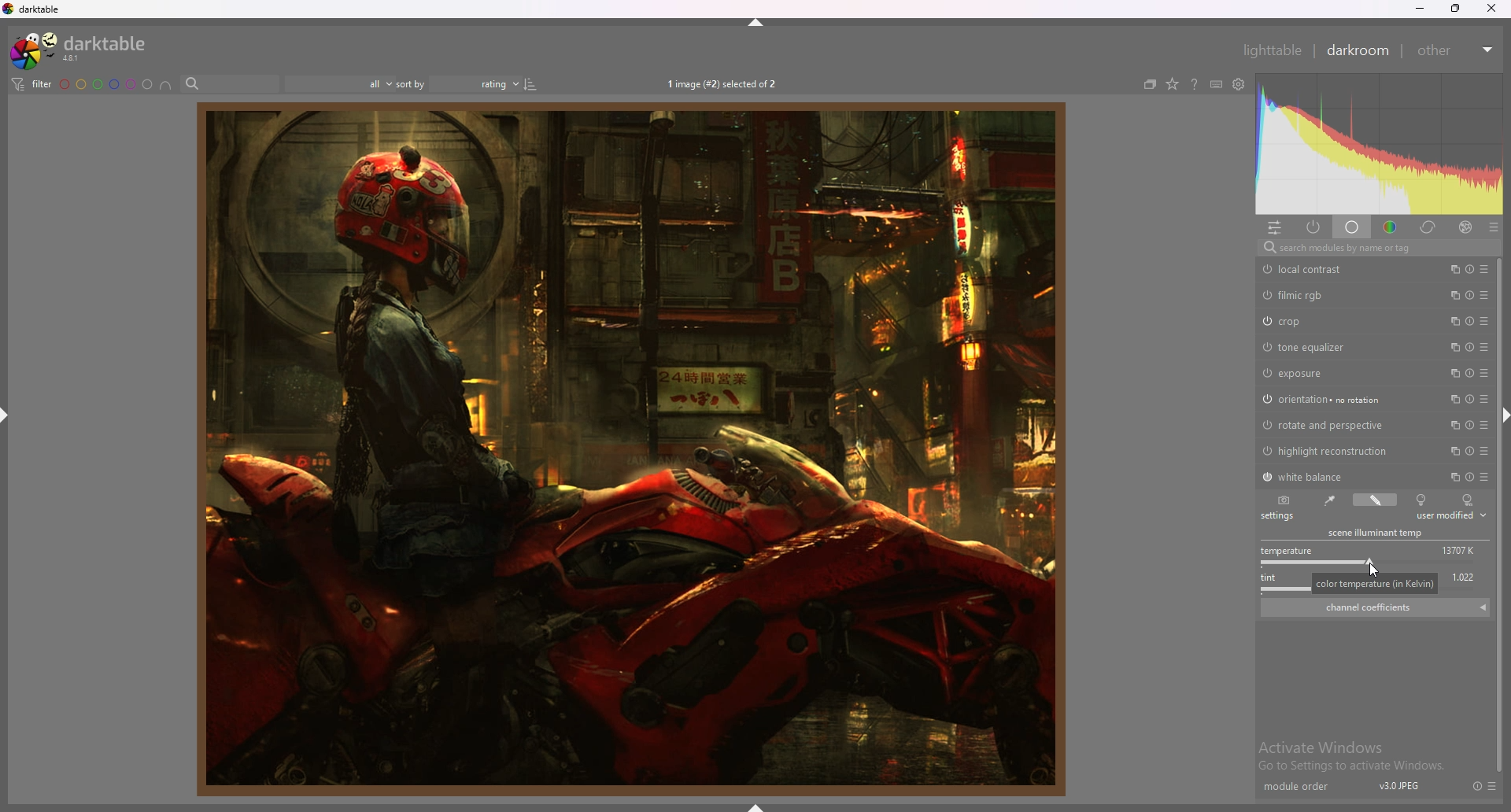 This screenshot has height=812, width=1511. What do you see at coordinates (1484, 321) in the screenshot?
I see `presets` at bounding box center [1484, 321].